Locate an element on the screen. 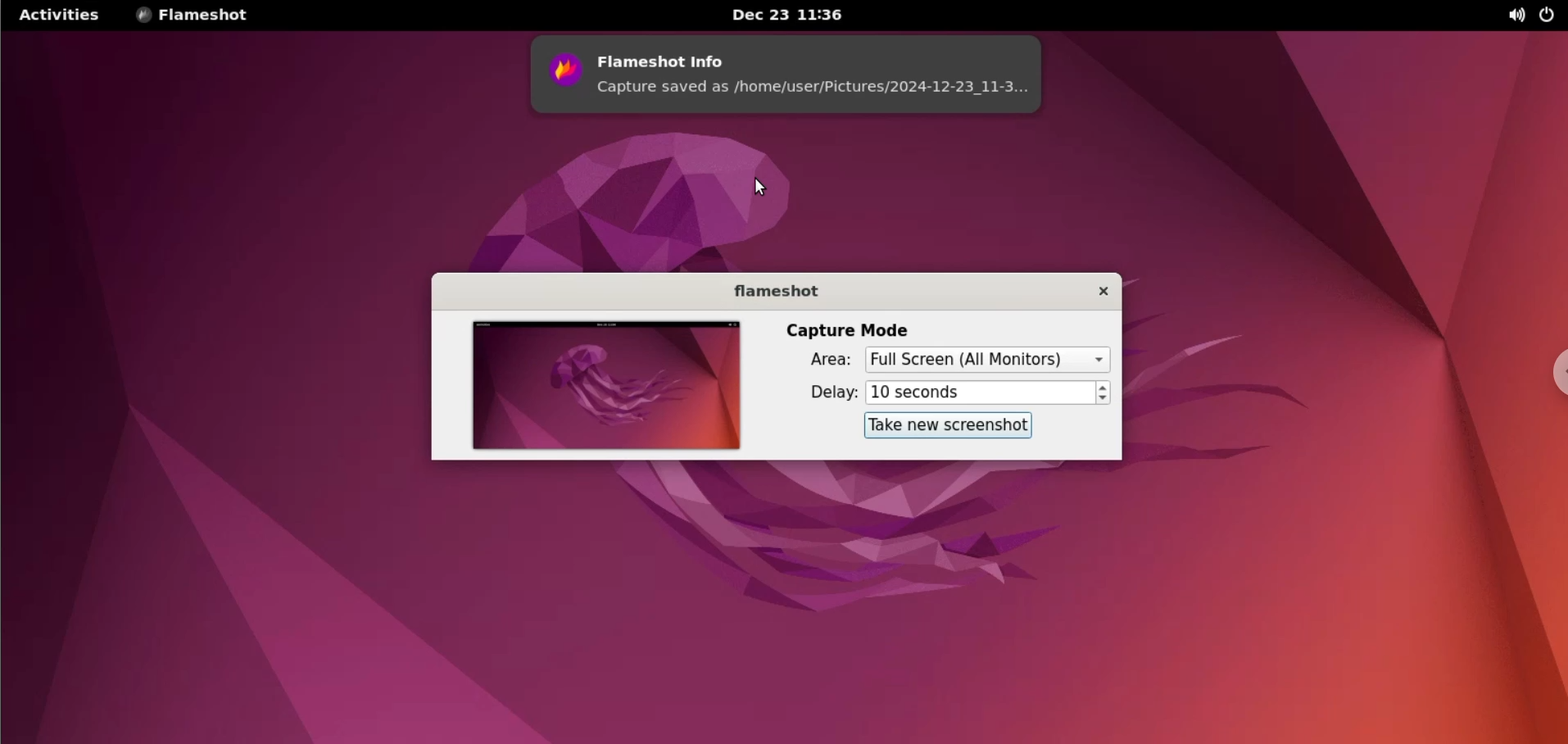 This screenshot has height=744, width=1568. flameshot is located at coordinates (776, 291).